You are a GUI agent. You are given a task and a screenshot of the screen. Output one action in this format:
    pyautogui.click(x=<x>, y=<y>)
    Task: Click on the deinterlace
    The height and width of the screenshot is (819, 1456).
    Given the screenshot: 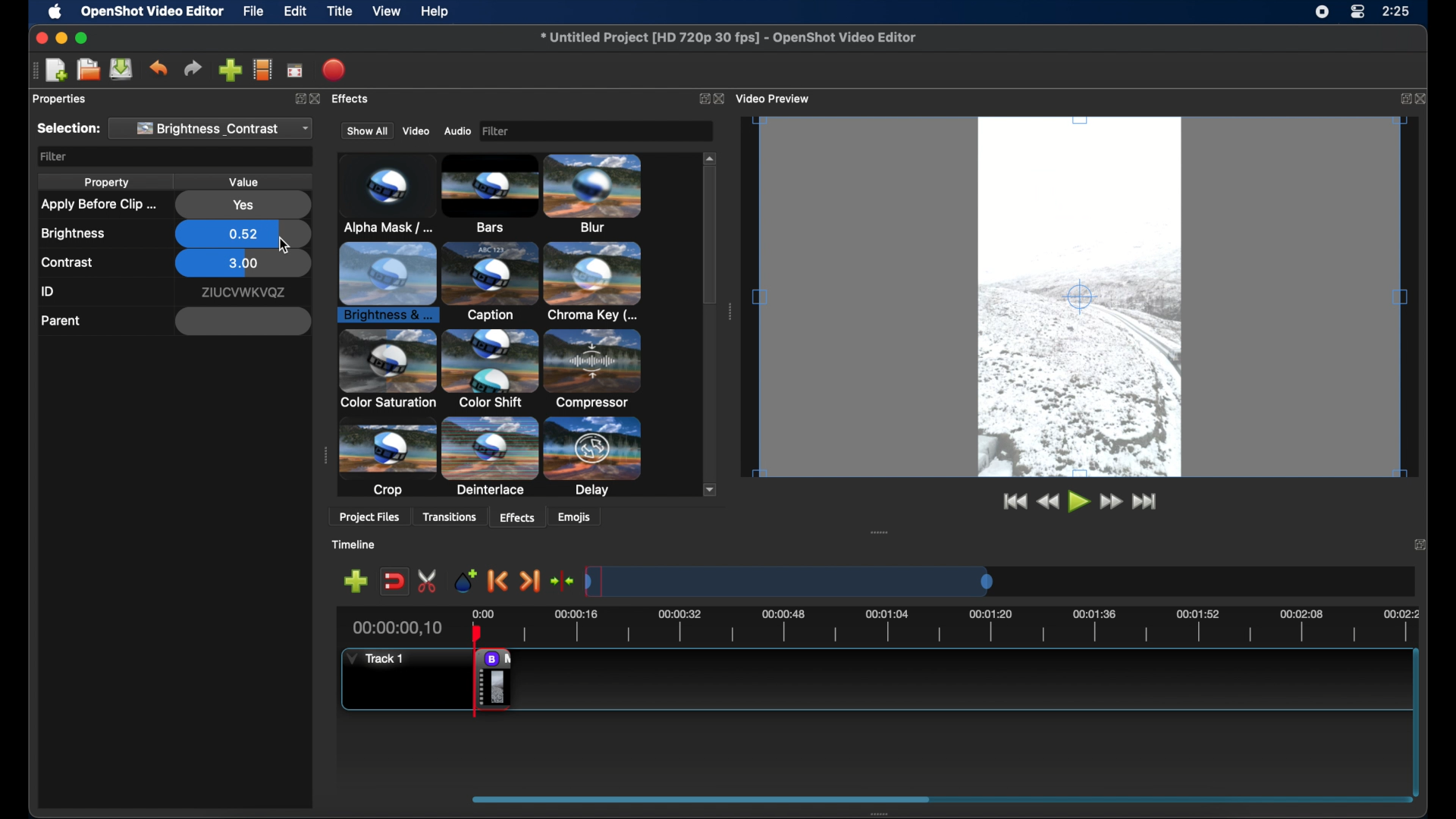 What is the action you would take?
    pyautogui.click(x=491, y=369)
    